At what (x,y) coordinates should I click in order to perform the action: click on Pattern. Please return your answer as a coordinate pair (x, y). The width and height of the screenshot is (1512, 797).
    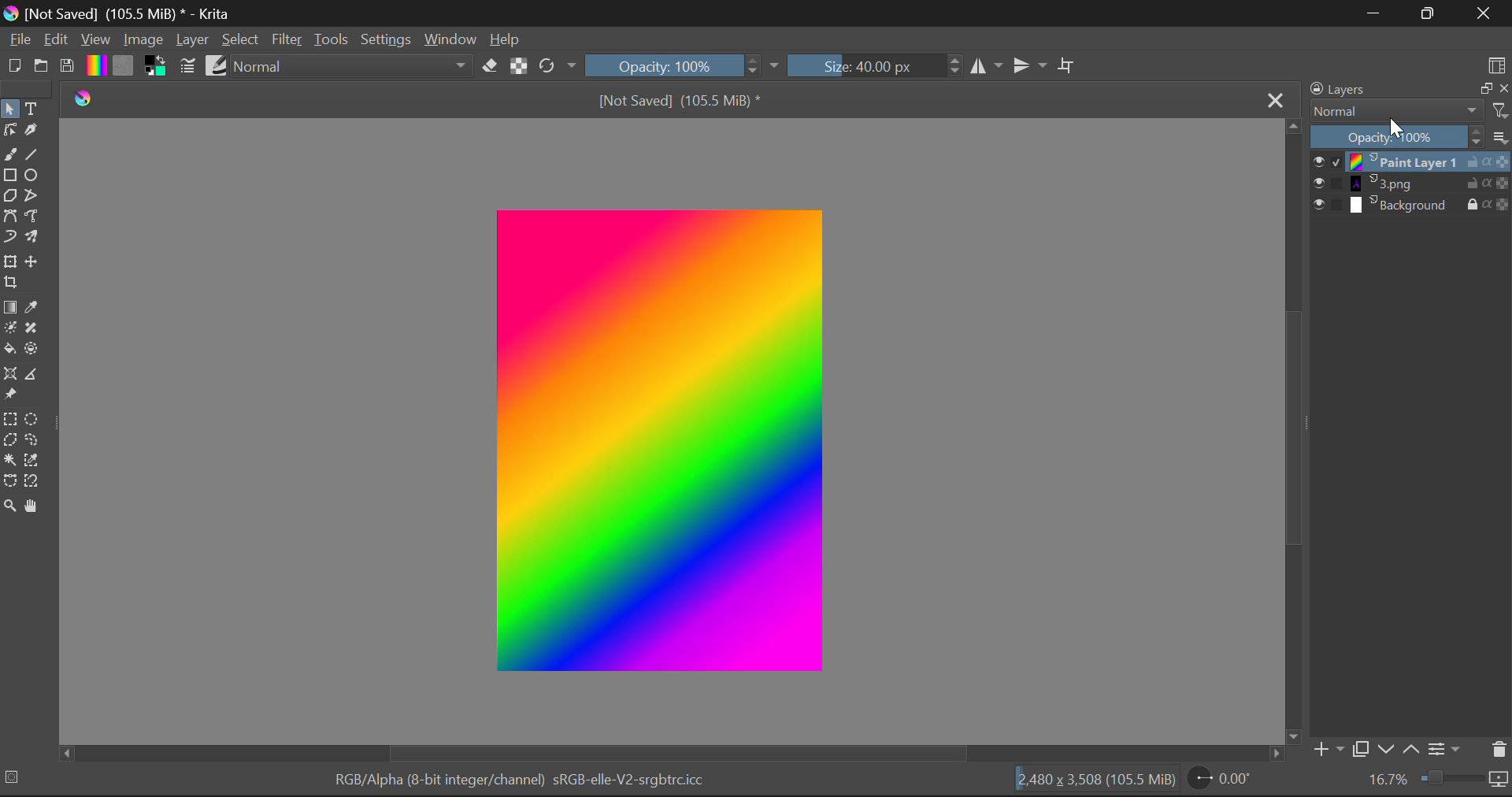
    Looking at the image, I should click on (126, 69).